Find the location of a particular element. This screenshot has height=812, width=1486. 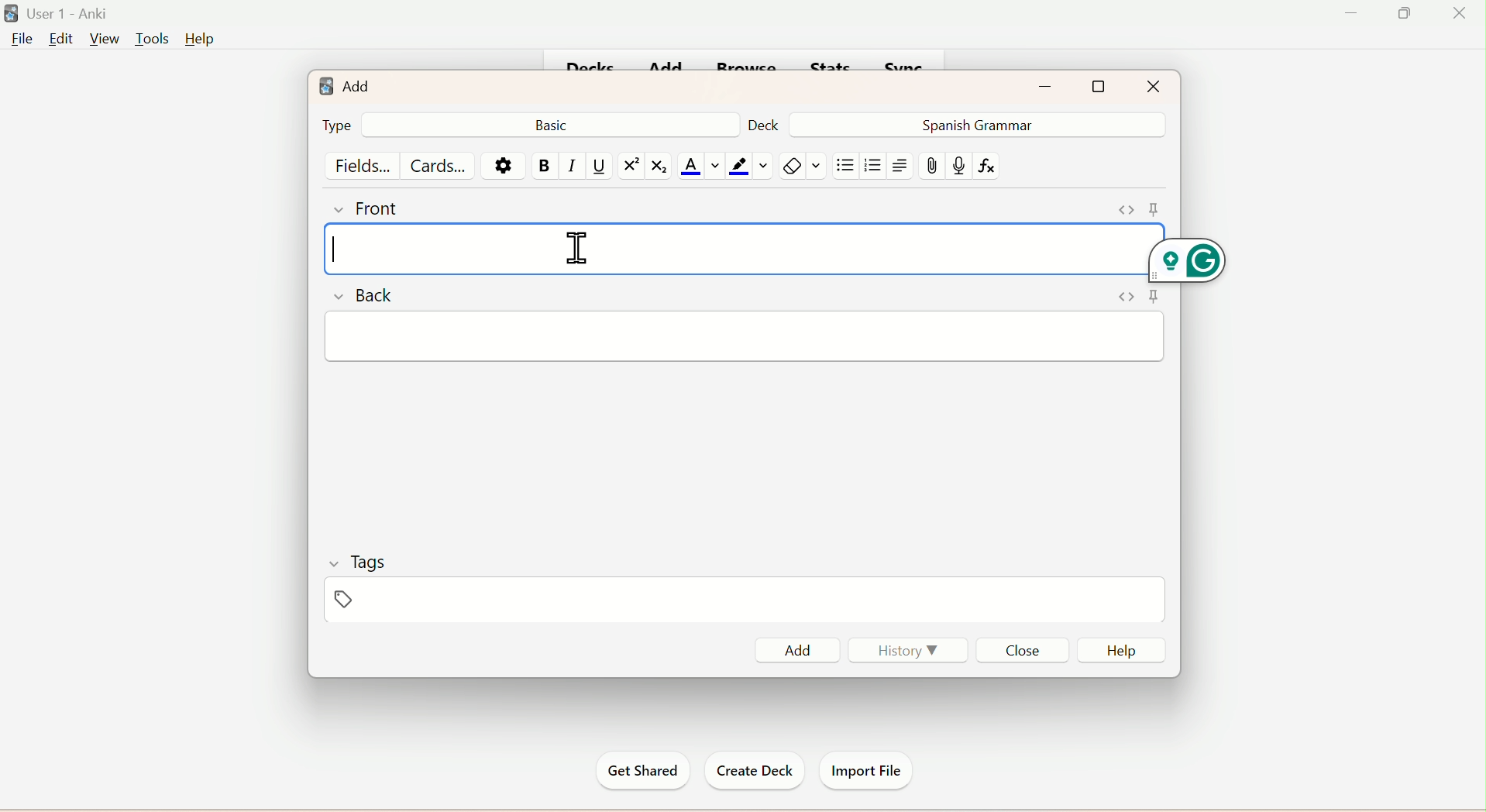

Edit is located at coordinates (60, 40).